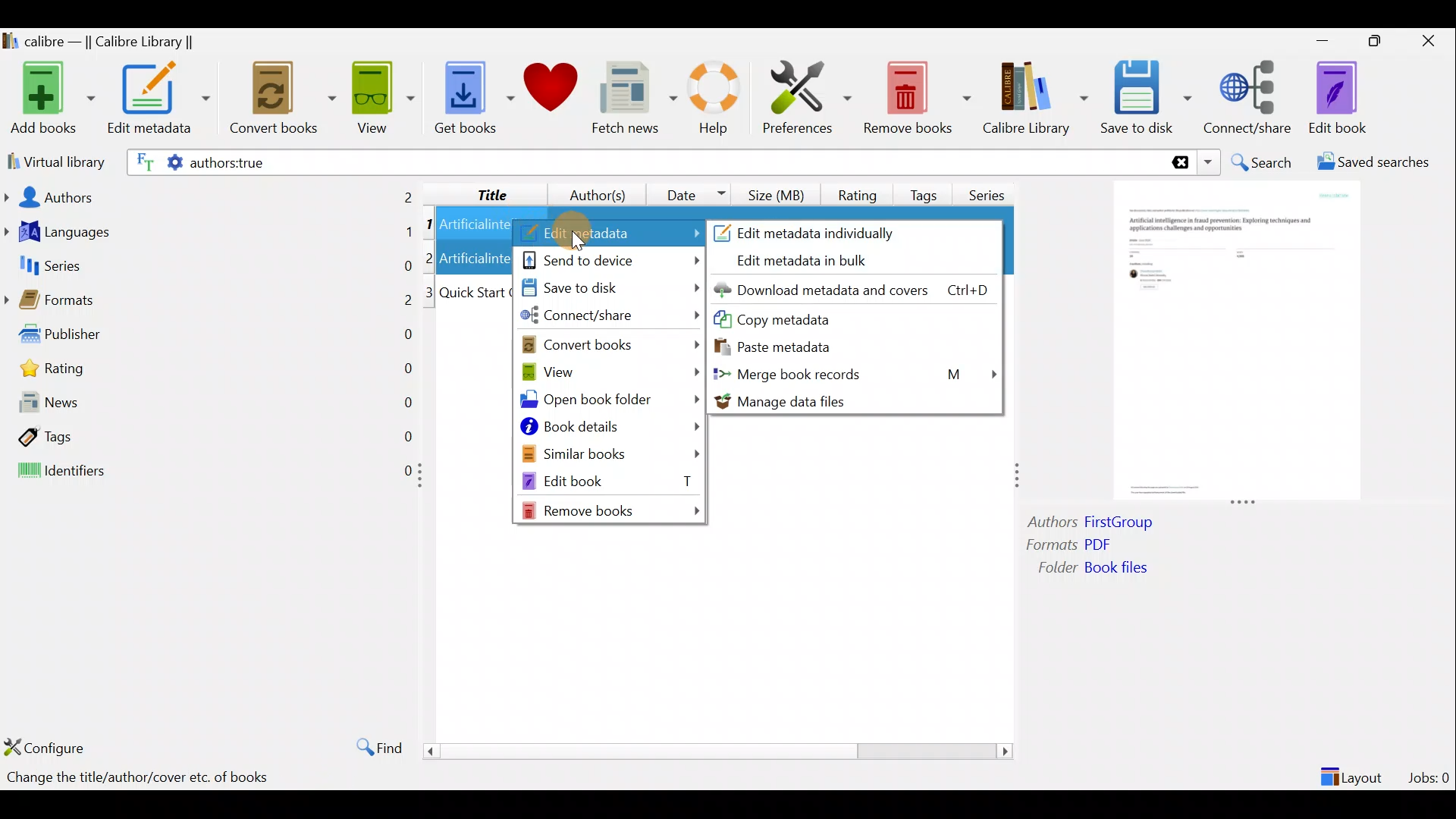 Image resolution: width=1456 pixels, height=819 pixels. What do you see at coordinates (780, 193) in the screenshot?
I see `Size` at bounding box center [780, 193].